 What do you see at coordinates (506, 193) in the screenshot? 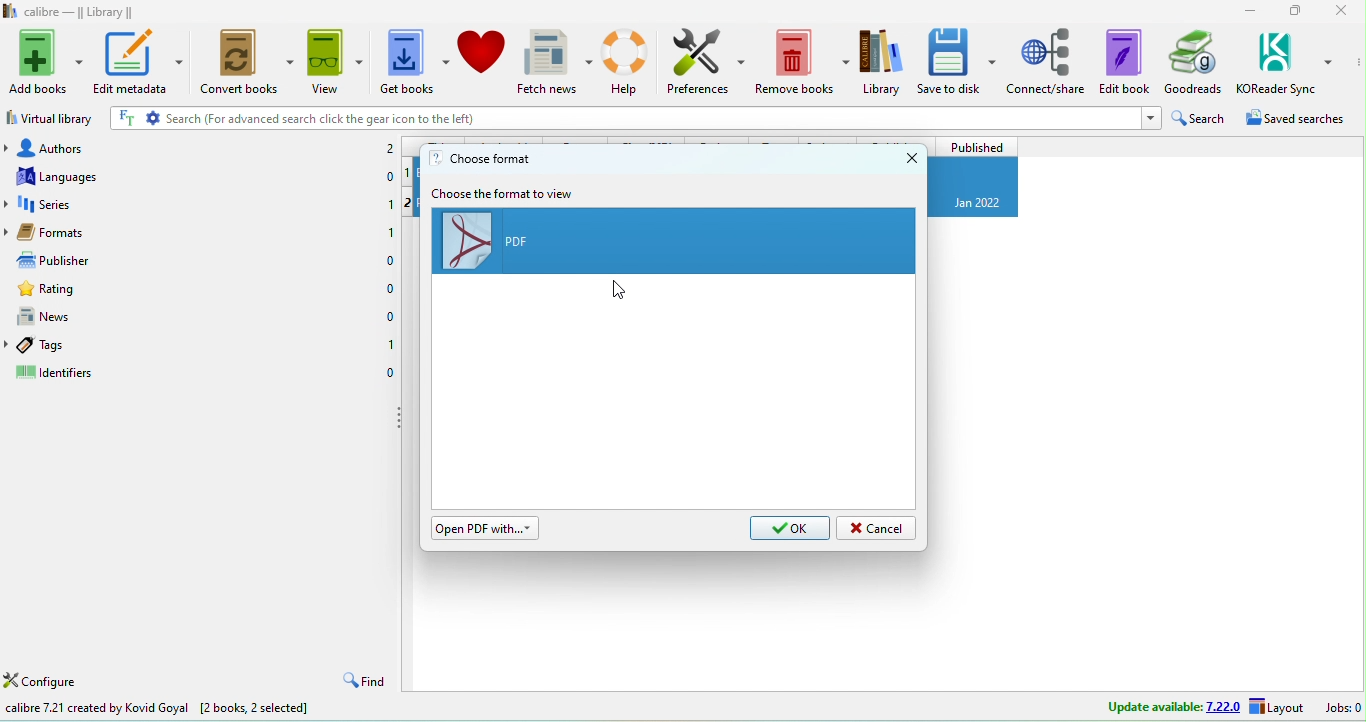
I see `Choose the format to view` at bounding box center [506, 193].